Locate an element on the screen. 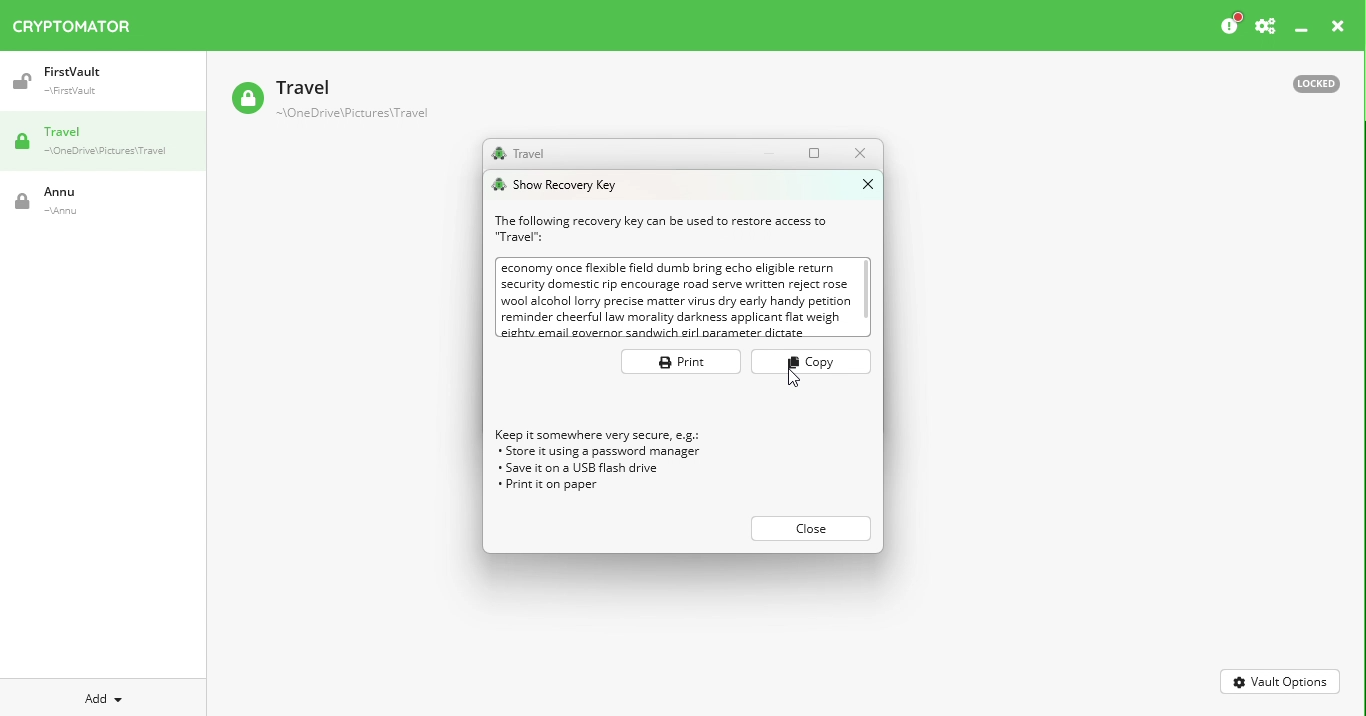  Travel is located at coordinates (518, 154).